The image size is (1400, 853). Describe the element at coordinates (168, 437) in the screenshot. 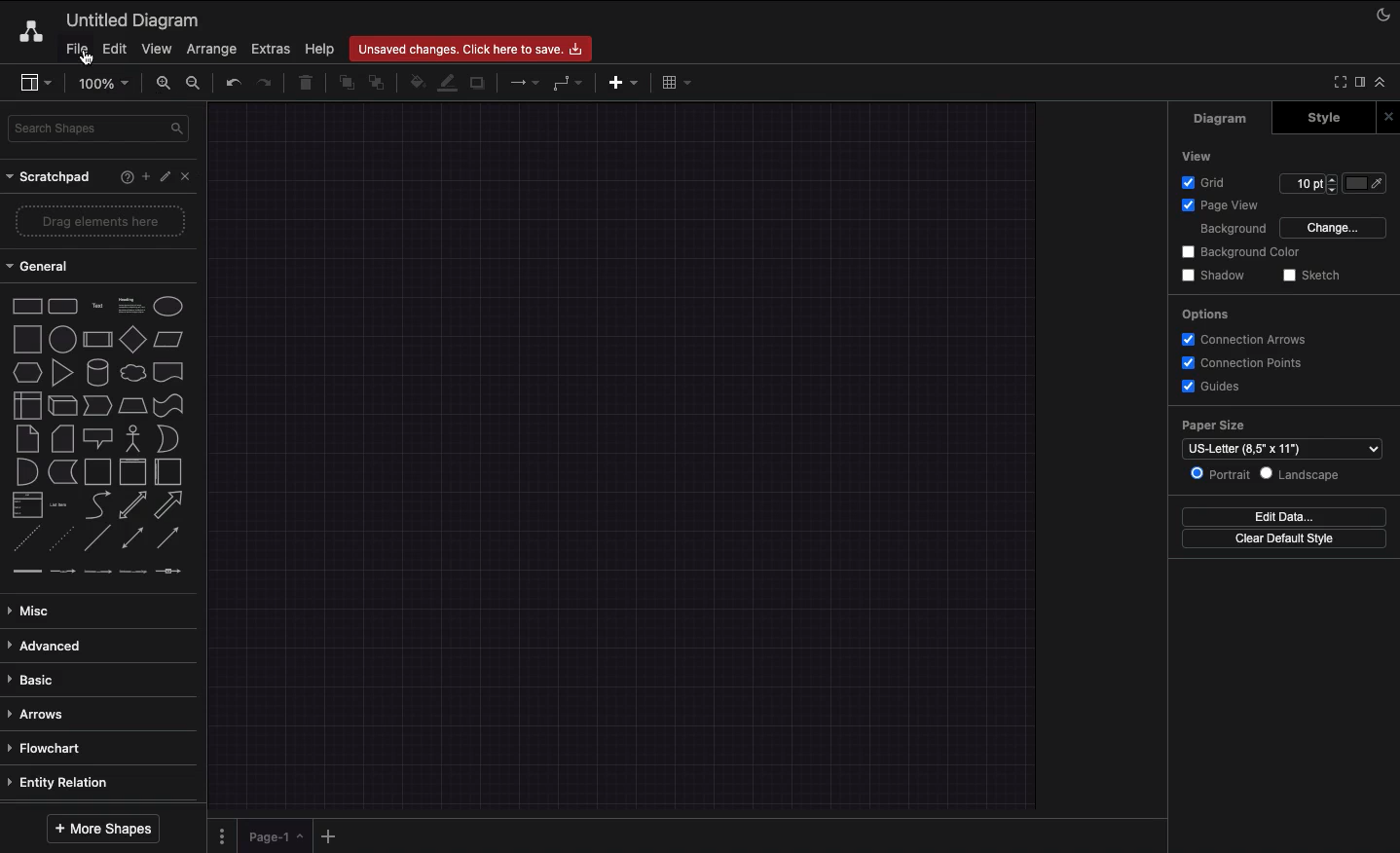

I see `Or` at that location.